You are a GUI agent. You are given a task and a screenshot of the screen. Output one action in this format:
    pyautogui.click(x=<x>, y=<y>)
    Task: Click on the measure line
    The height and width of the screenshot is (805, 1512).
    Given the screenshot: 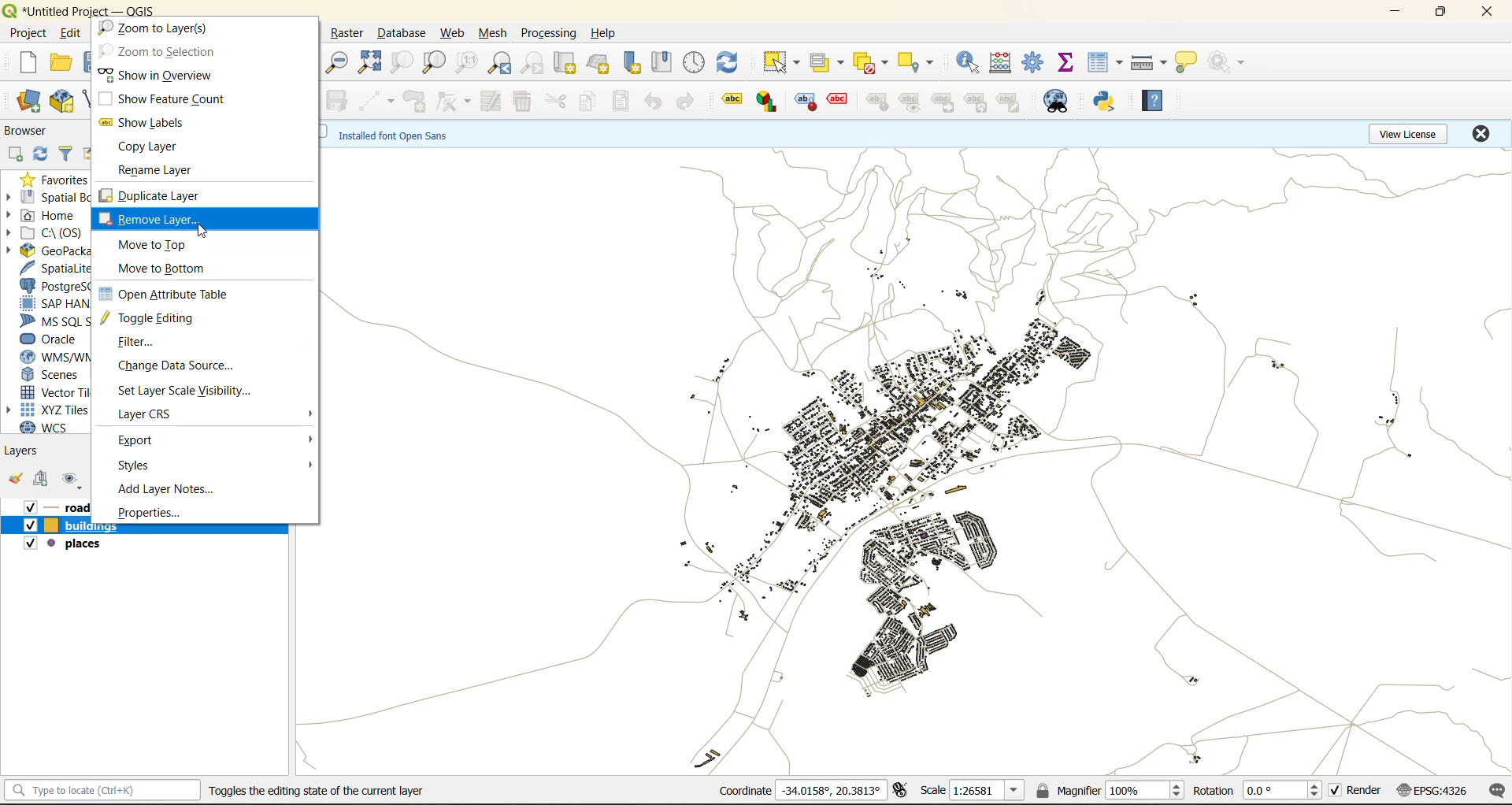 What is the action you would take?
    pyautogui.click(x=1151, y=61)
    